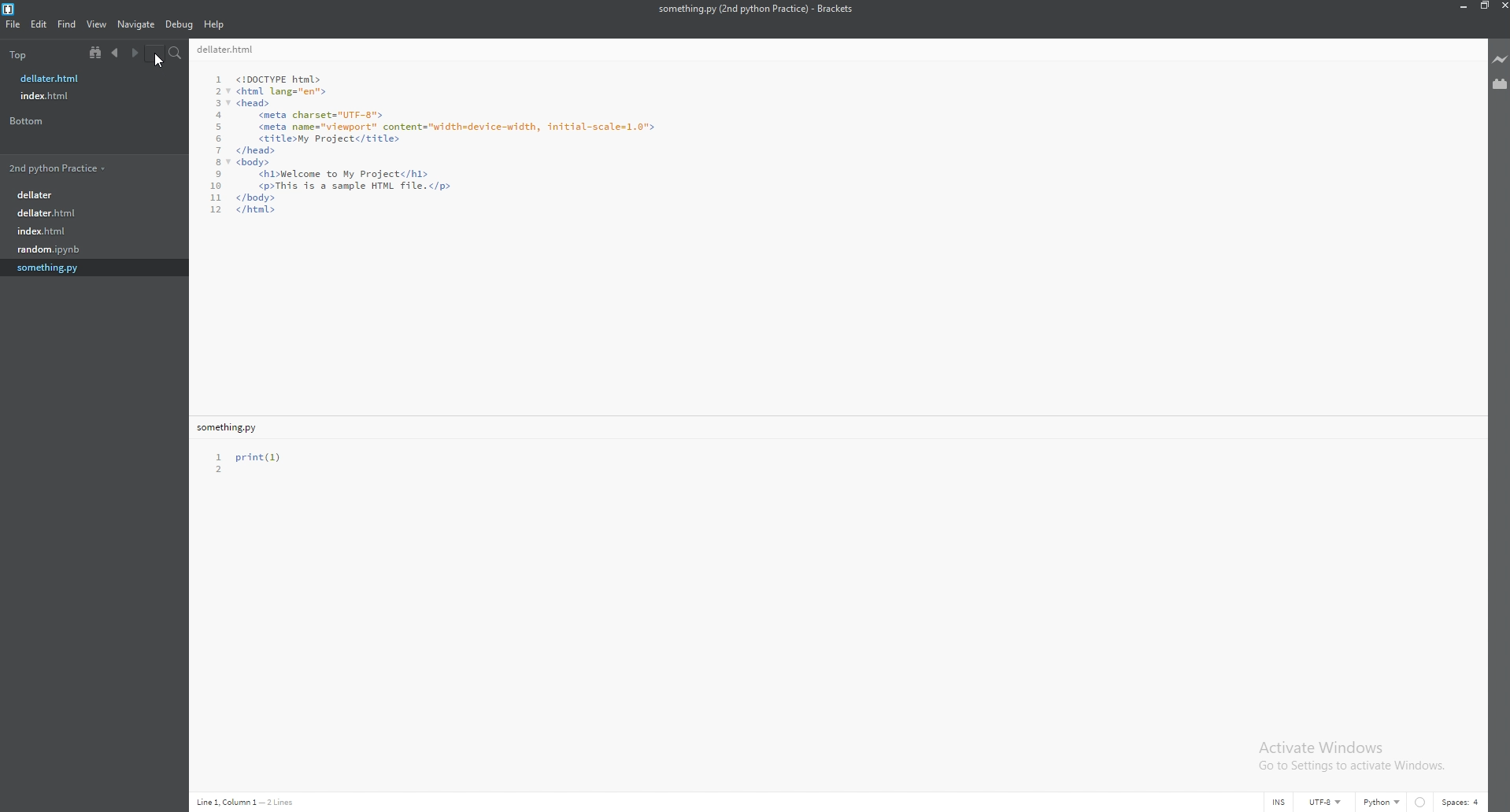 The image size is (1510, 812). Describe the element at coordinates (161, 63) in the screenshot. I see `Cursor` at that location.